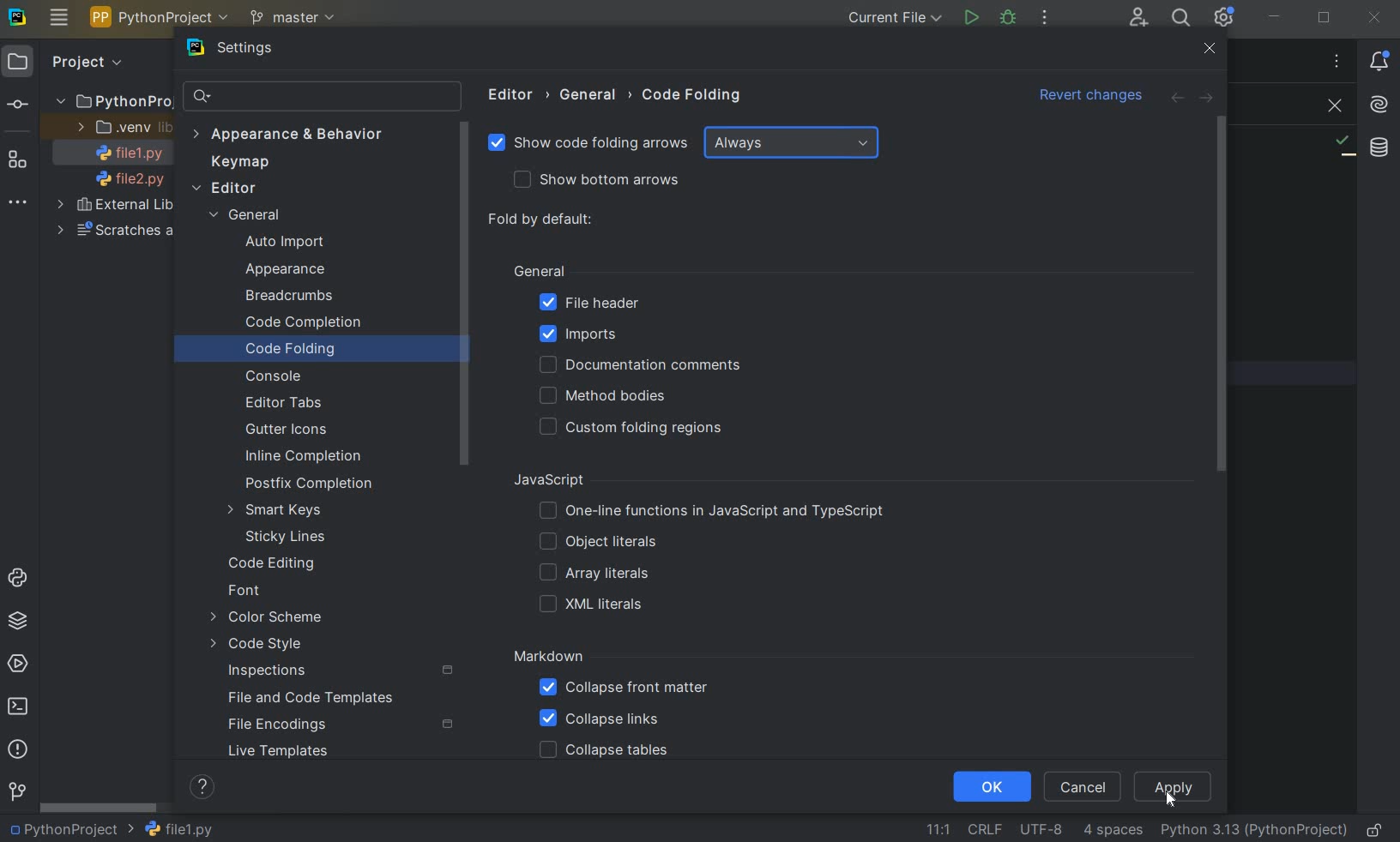  Describe the element at coordinates (252, 217) in the screenshot. I see `GENERAL` at that location.